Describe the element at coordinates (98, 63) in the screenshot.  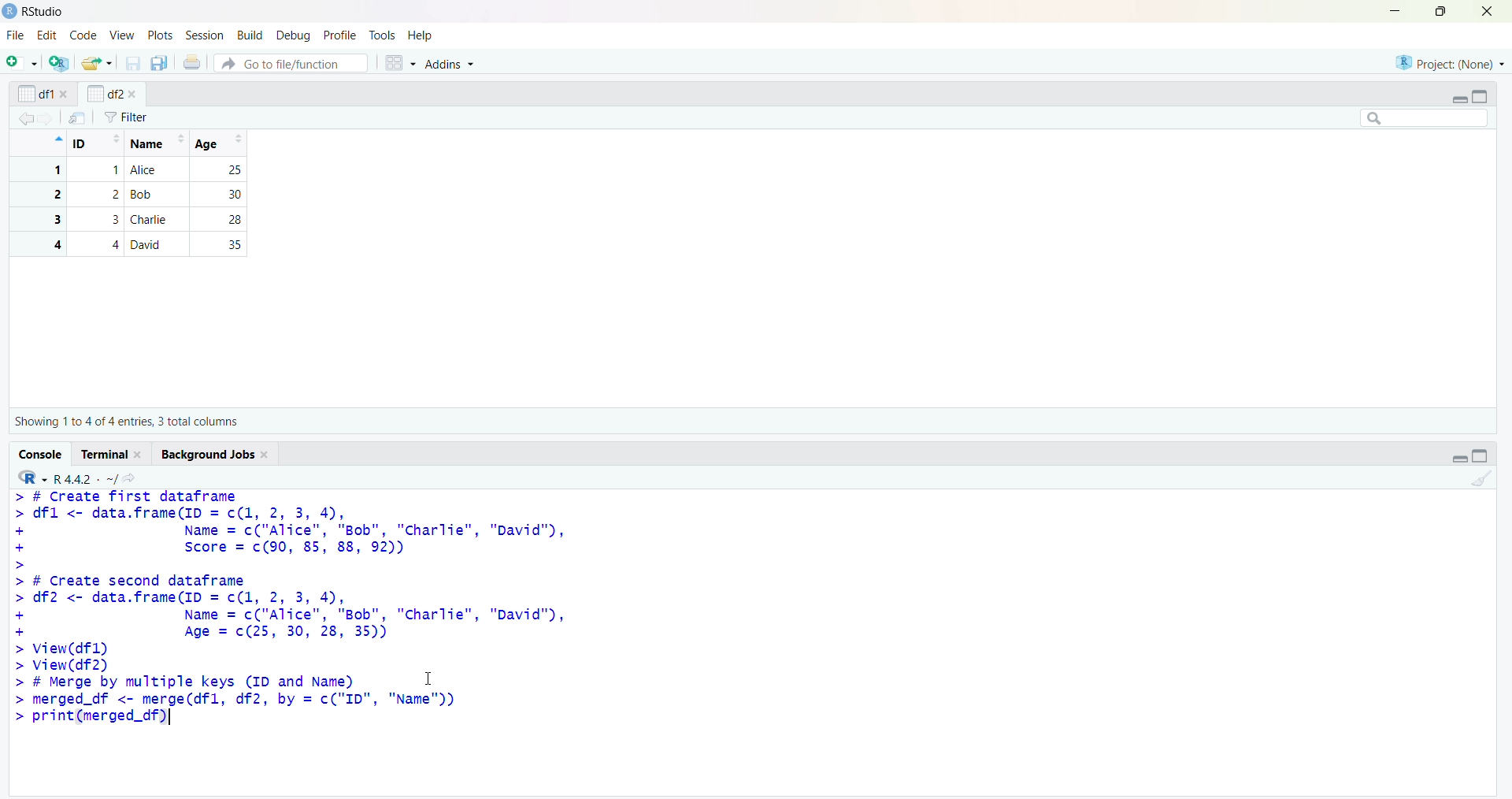
I see `share folder as` at that location.